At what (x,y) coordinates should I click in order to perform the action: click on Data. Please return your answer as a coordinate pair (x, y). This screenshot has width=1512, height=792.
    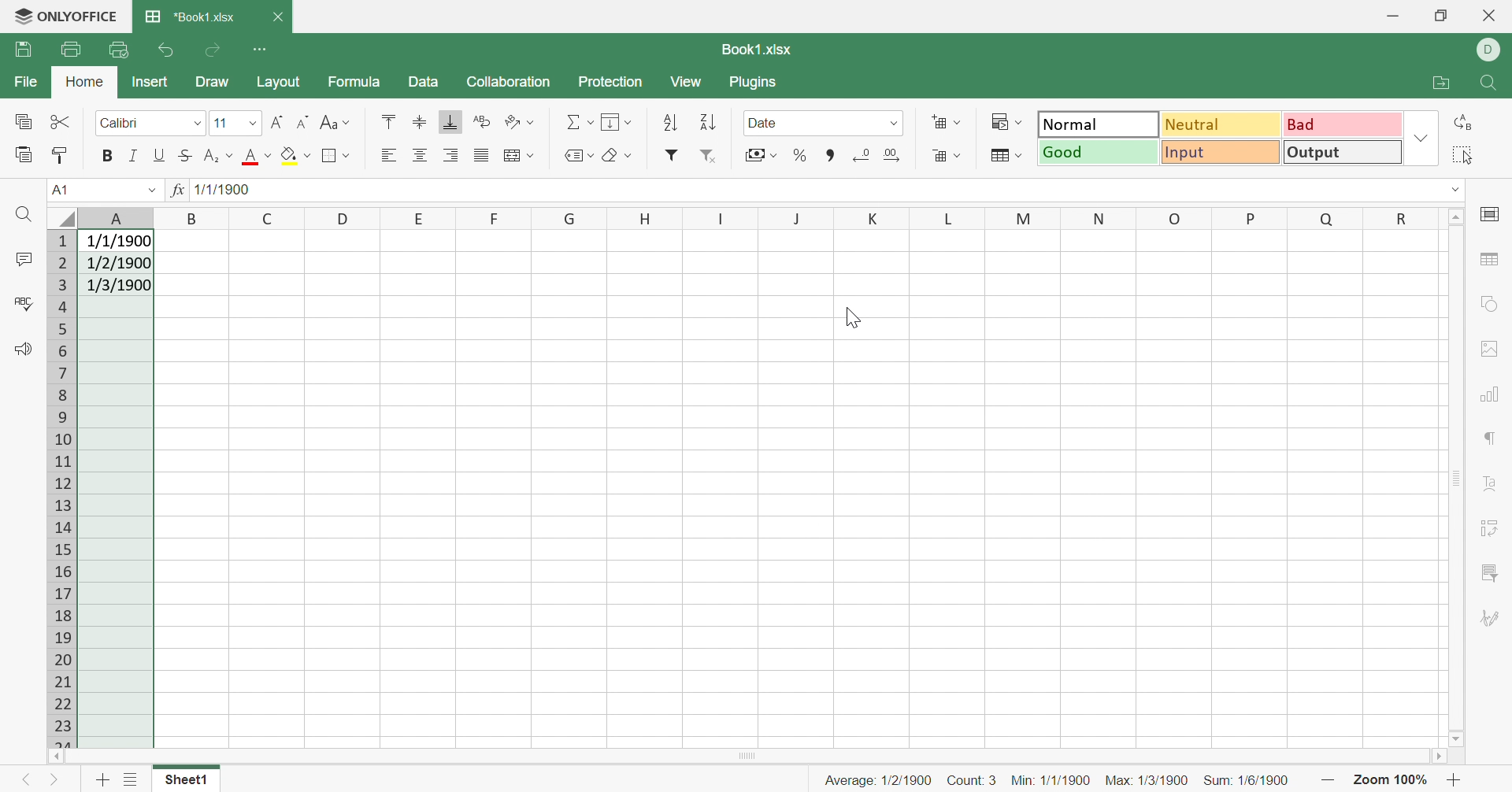
    Looking at the image, I should click on (424, 81).